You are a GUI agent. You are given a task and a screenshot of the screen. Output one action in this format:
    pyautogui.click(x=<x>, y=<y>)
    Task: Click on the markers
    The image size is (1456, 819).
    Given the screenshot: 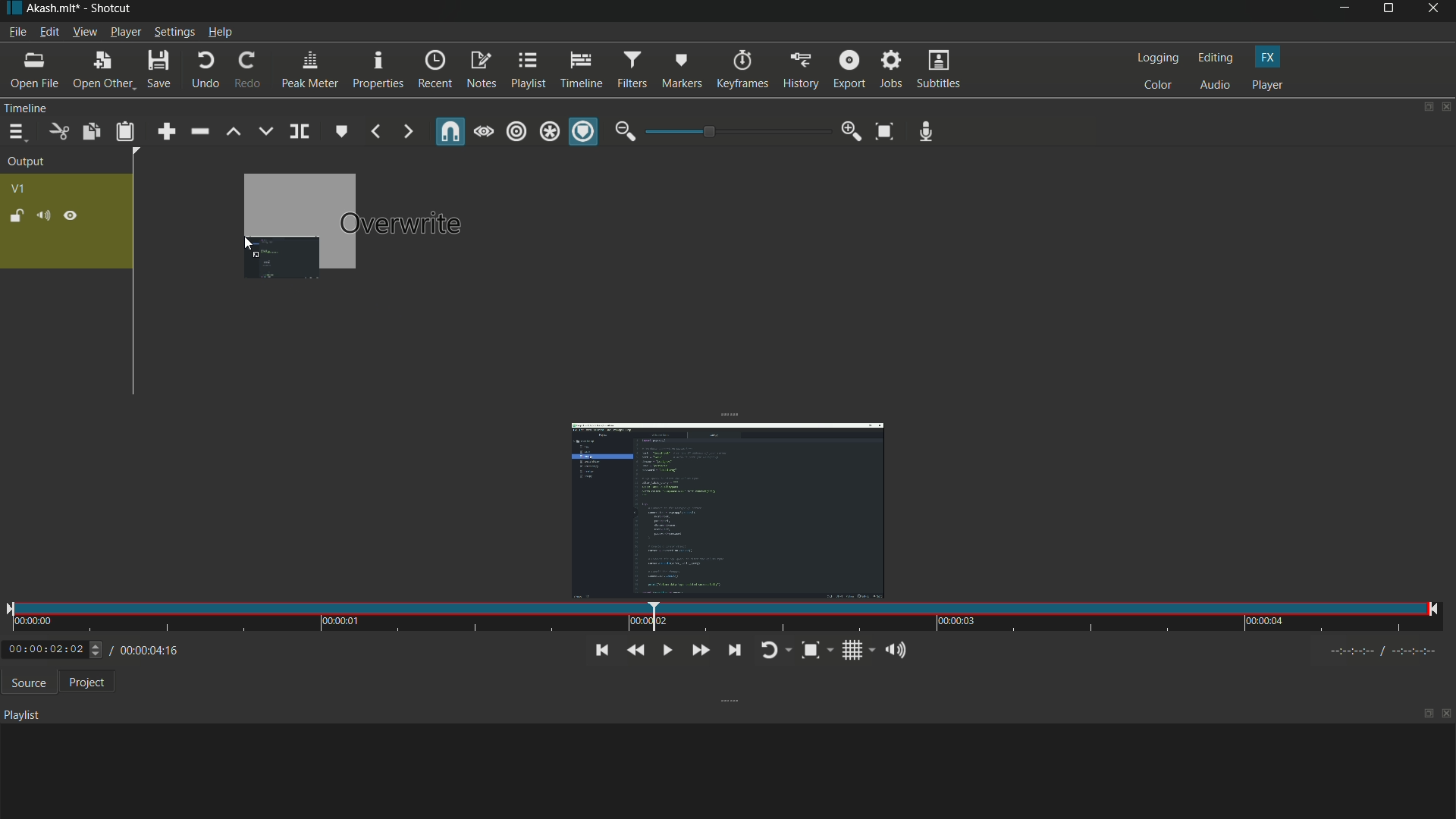 What is the action you would take?
    pyautogui.click(x=683, y=70)
    